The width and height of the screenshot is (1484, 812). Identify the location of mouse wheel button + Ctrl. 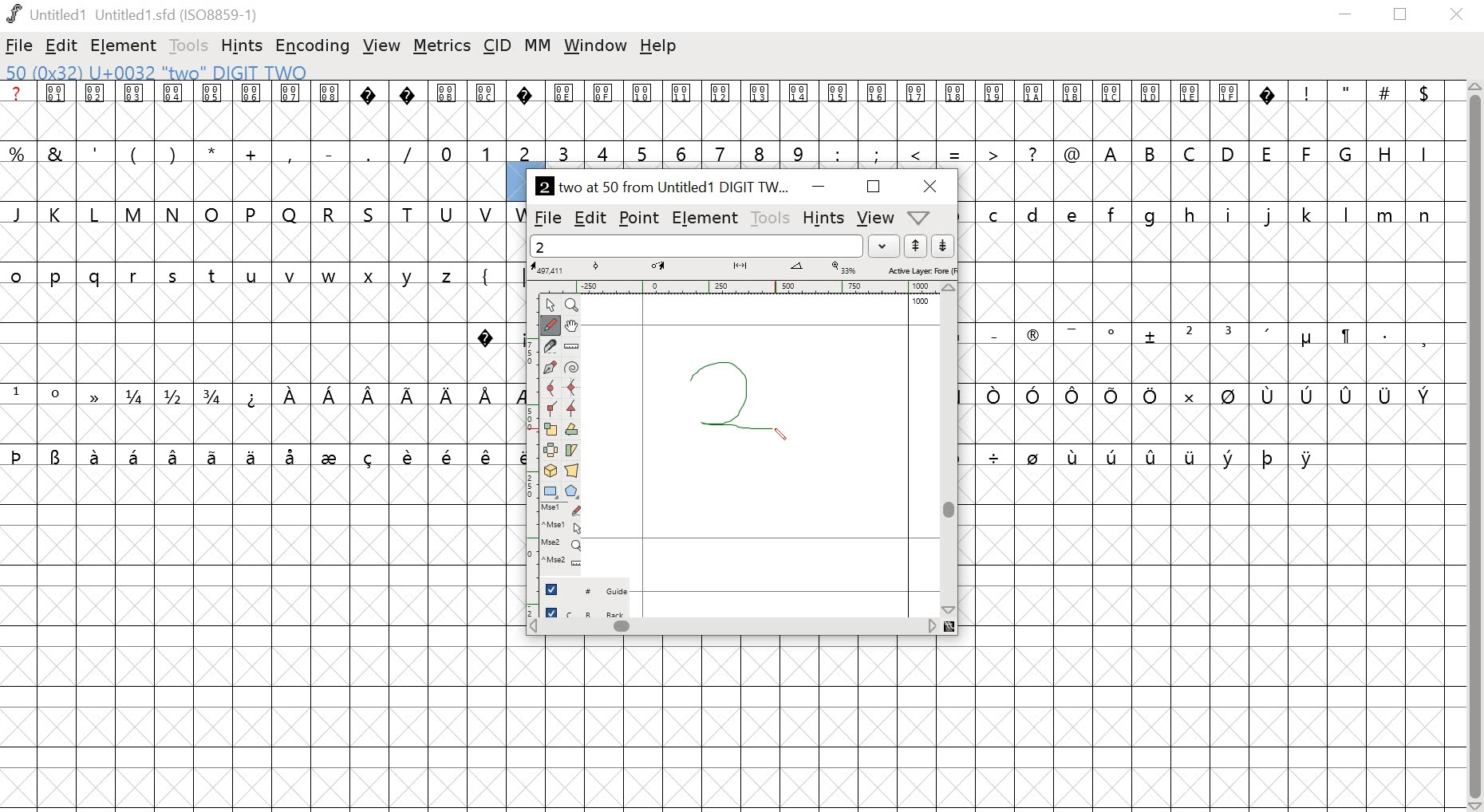
(563, 565).